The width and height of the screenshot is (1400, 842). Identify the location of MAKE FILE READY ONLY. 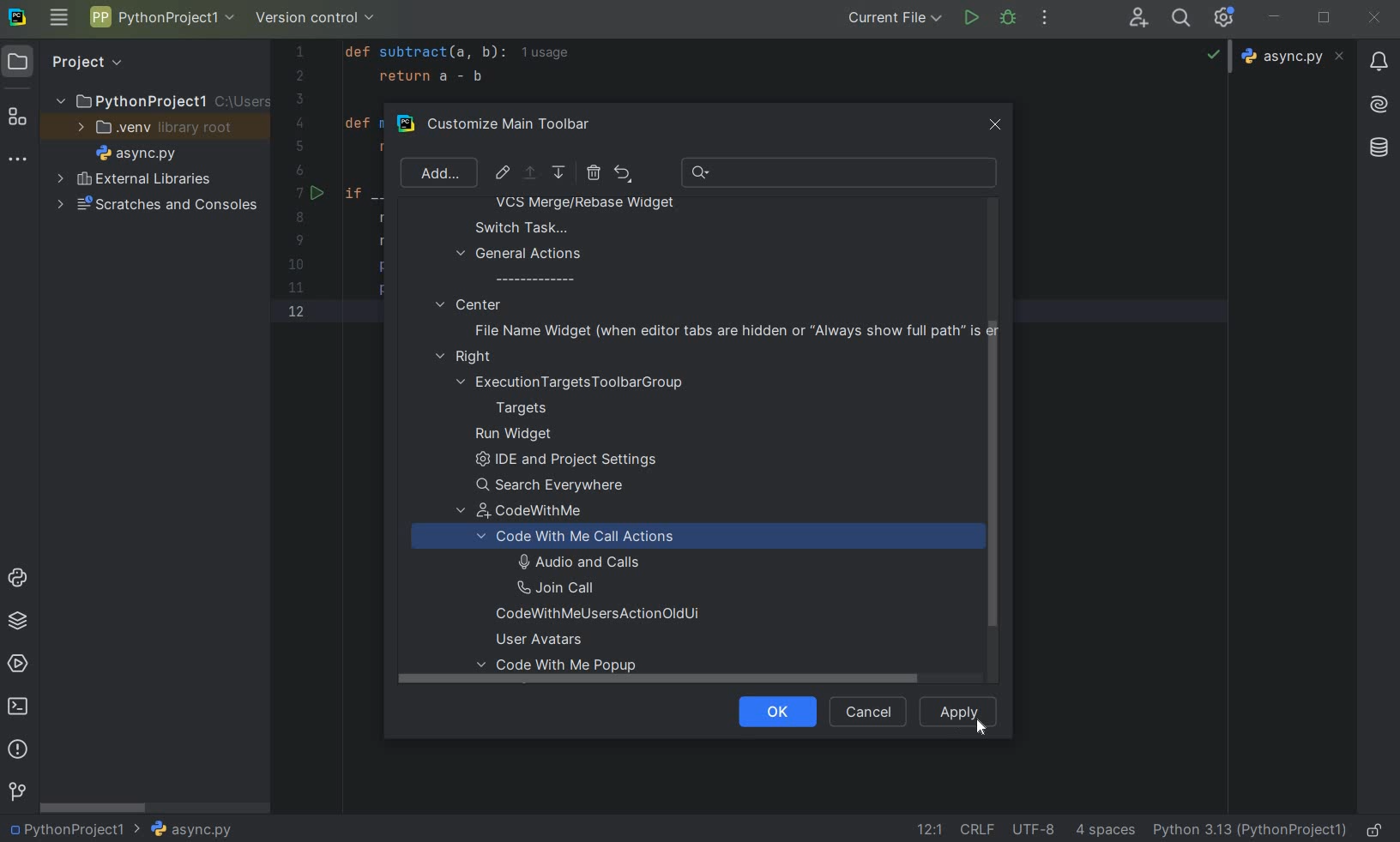
(1378, 828).